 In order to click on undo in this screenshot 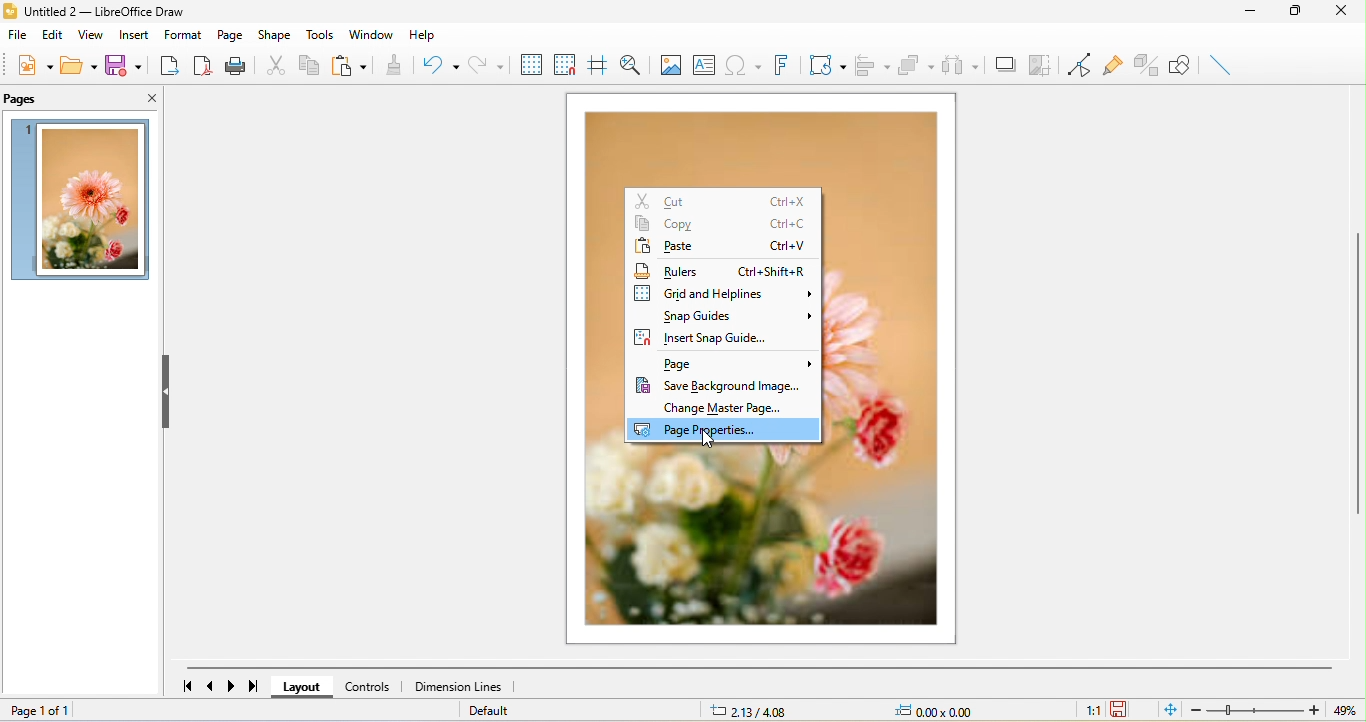, I will do `click(435, 64)`.